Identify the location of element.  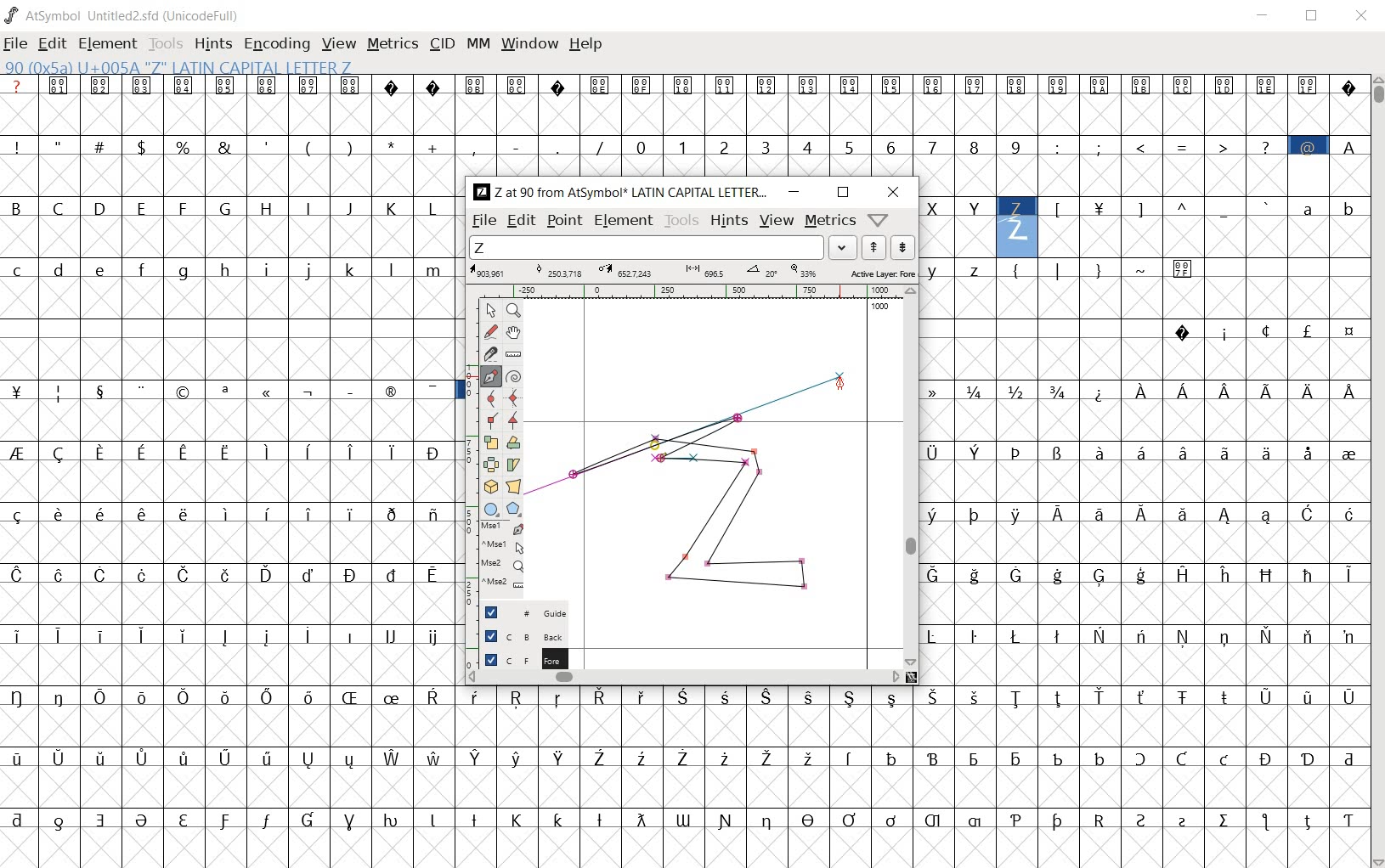
(624, 219).